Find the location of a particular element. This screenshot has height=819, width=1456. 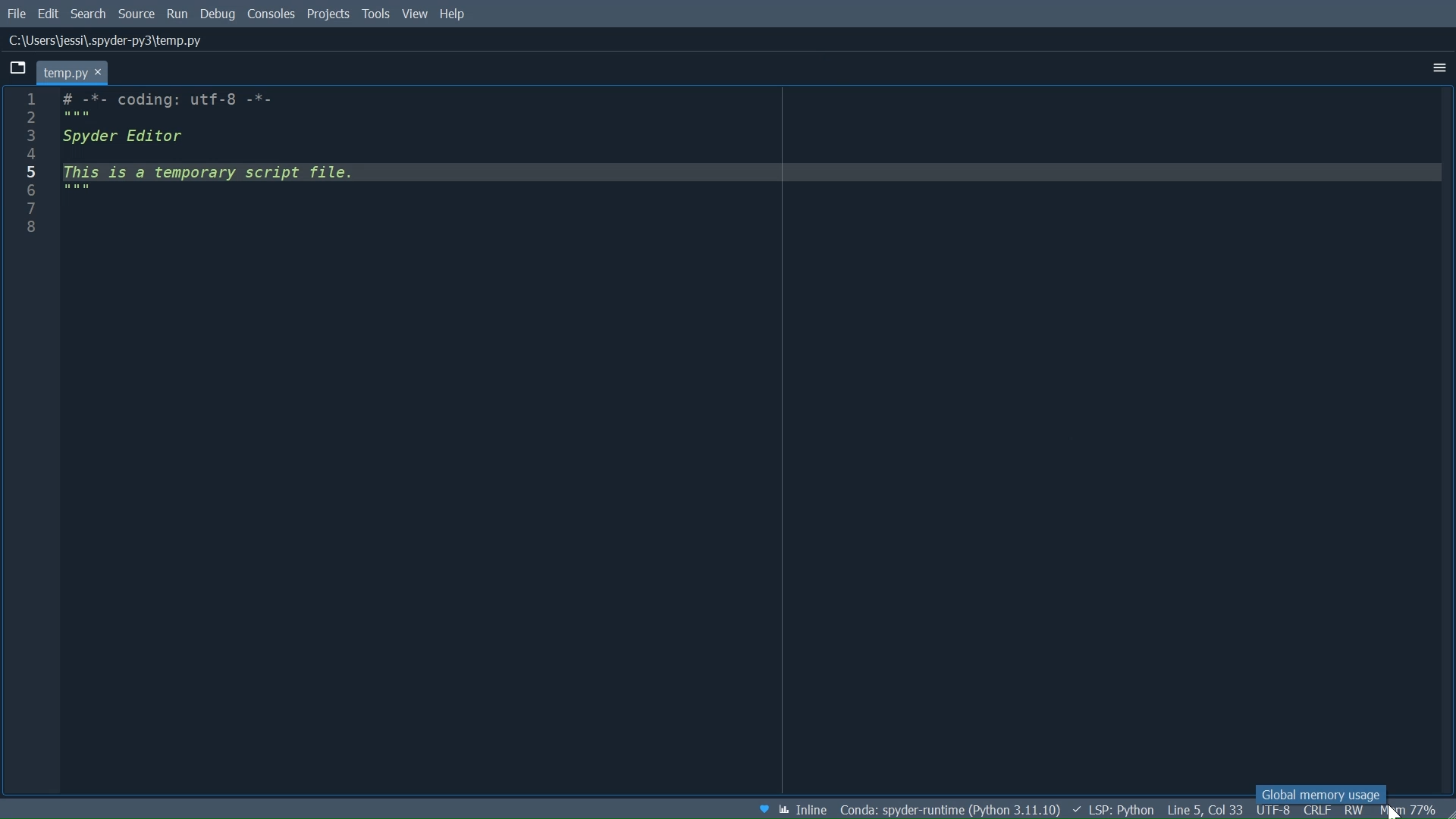

Line column is located at coordinates (36, 444).